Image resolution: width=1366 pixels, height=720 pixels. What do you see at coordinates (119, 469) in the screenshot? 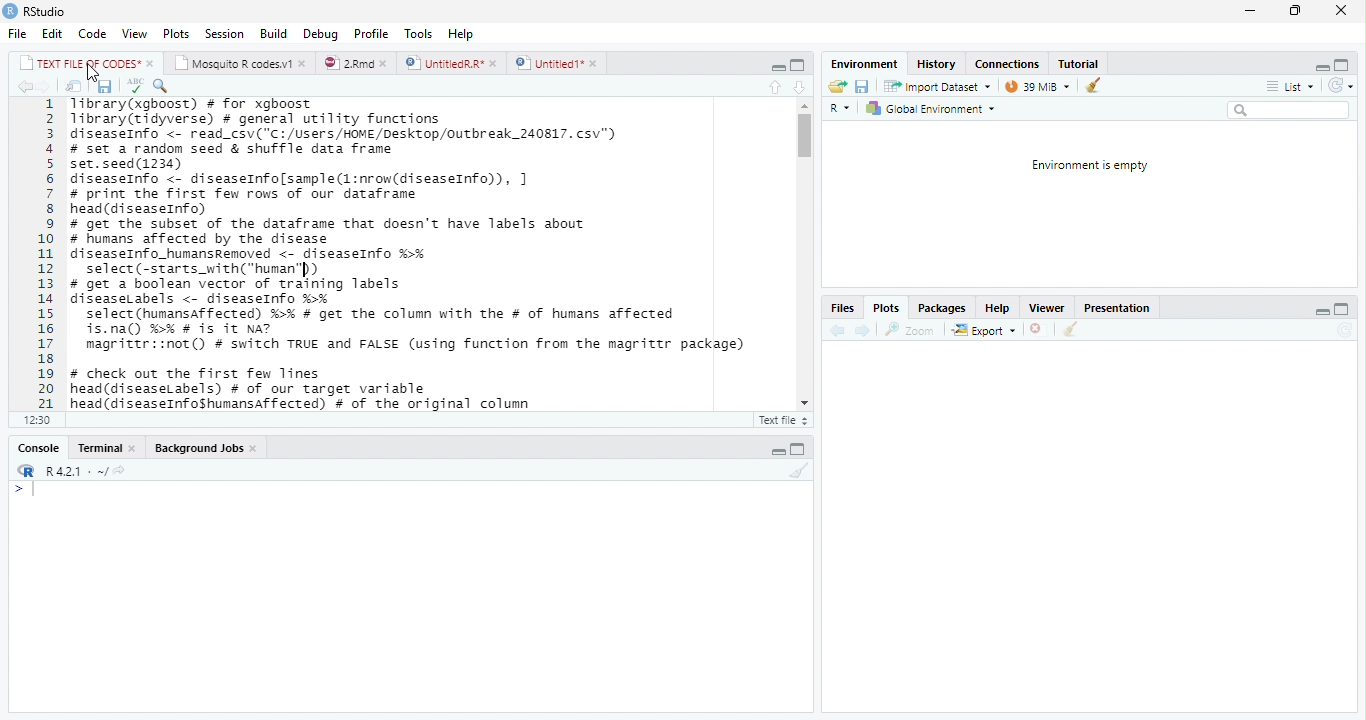
I see `Show directory` at bounding box center [119, 469].